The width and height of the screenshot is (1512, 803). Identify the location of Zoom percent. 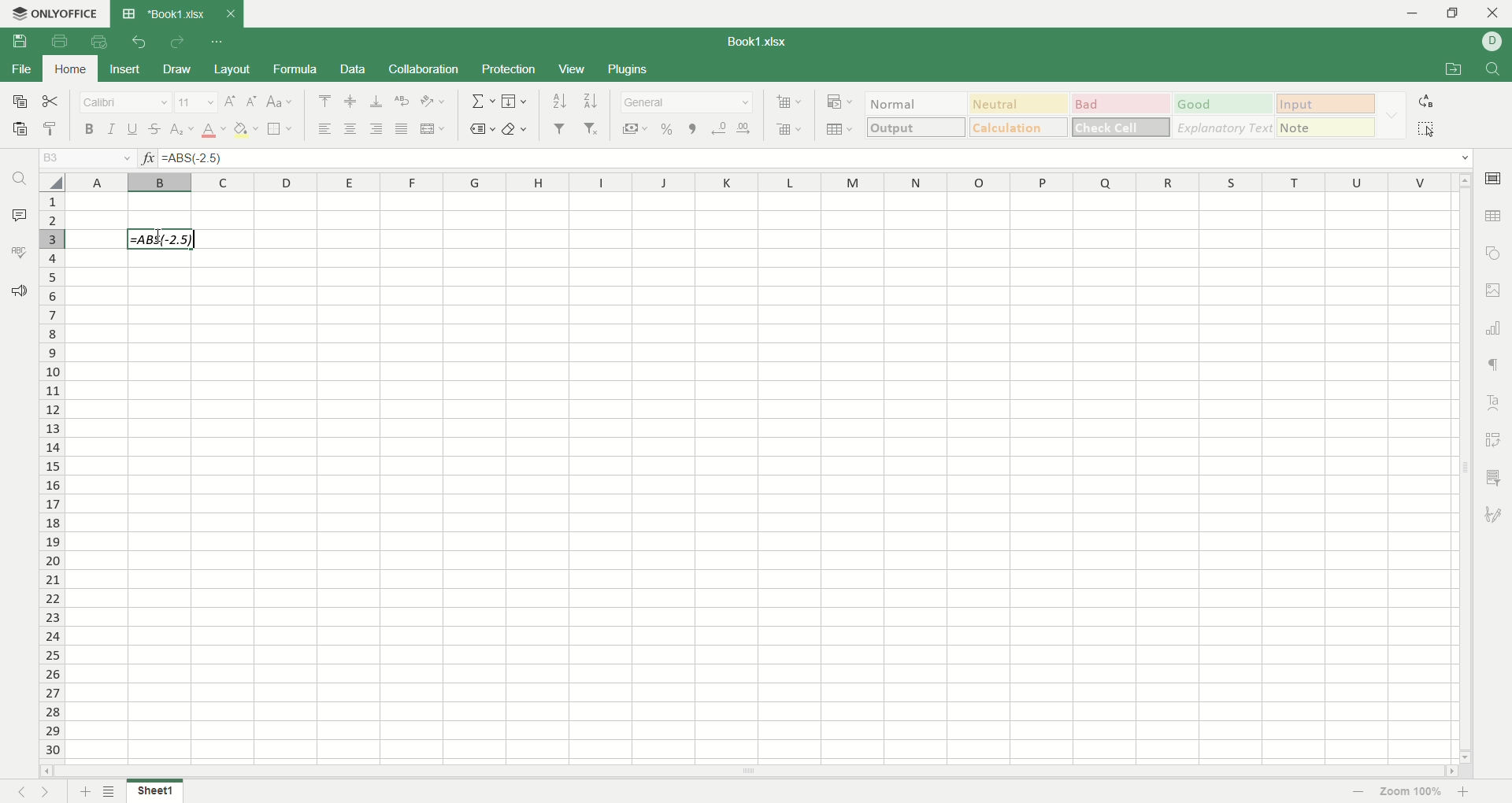
(1411, 793).